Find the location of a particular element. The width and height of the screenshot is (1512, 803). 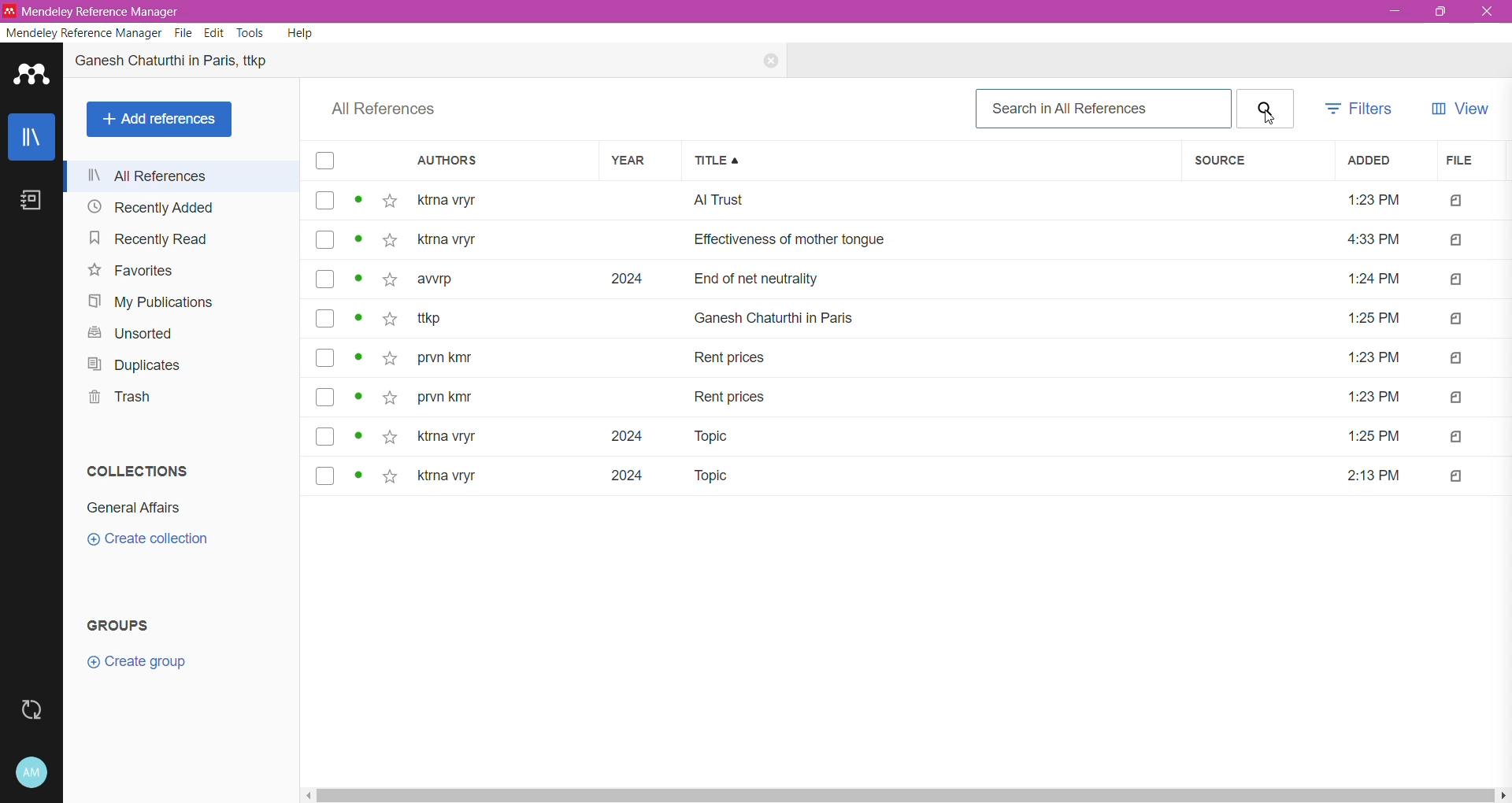

My Publications is located at coordinates (148, 303).